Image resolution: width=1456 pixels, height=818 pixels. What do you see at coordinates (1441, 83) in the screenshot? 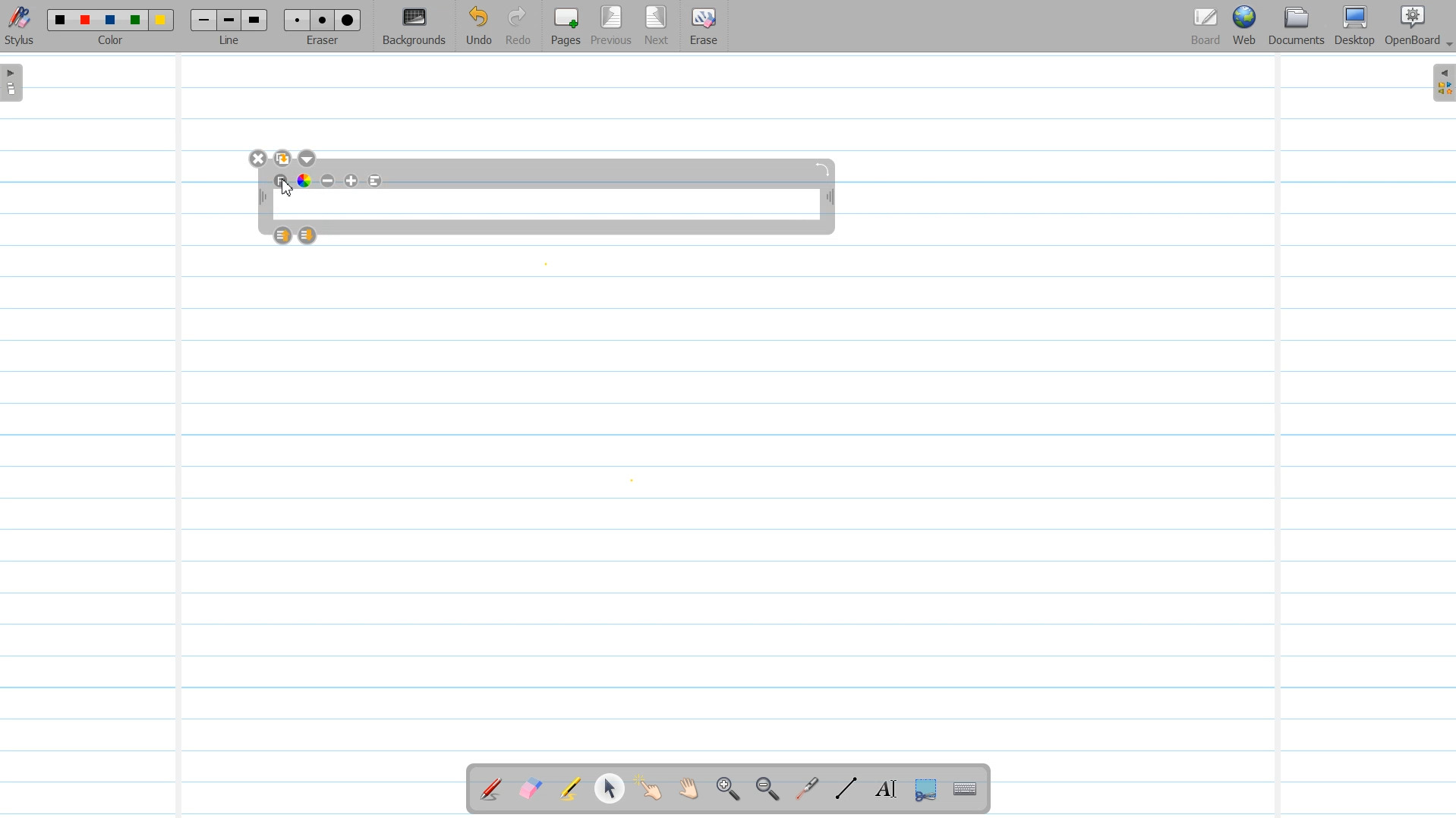
I see `Sidebar ` at bounding box center [1441, 83].